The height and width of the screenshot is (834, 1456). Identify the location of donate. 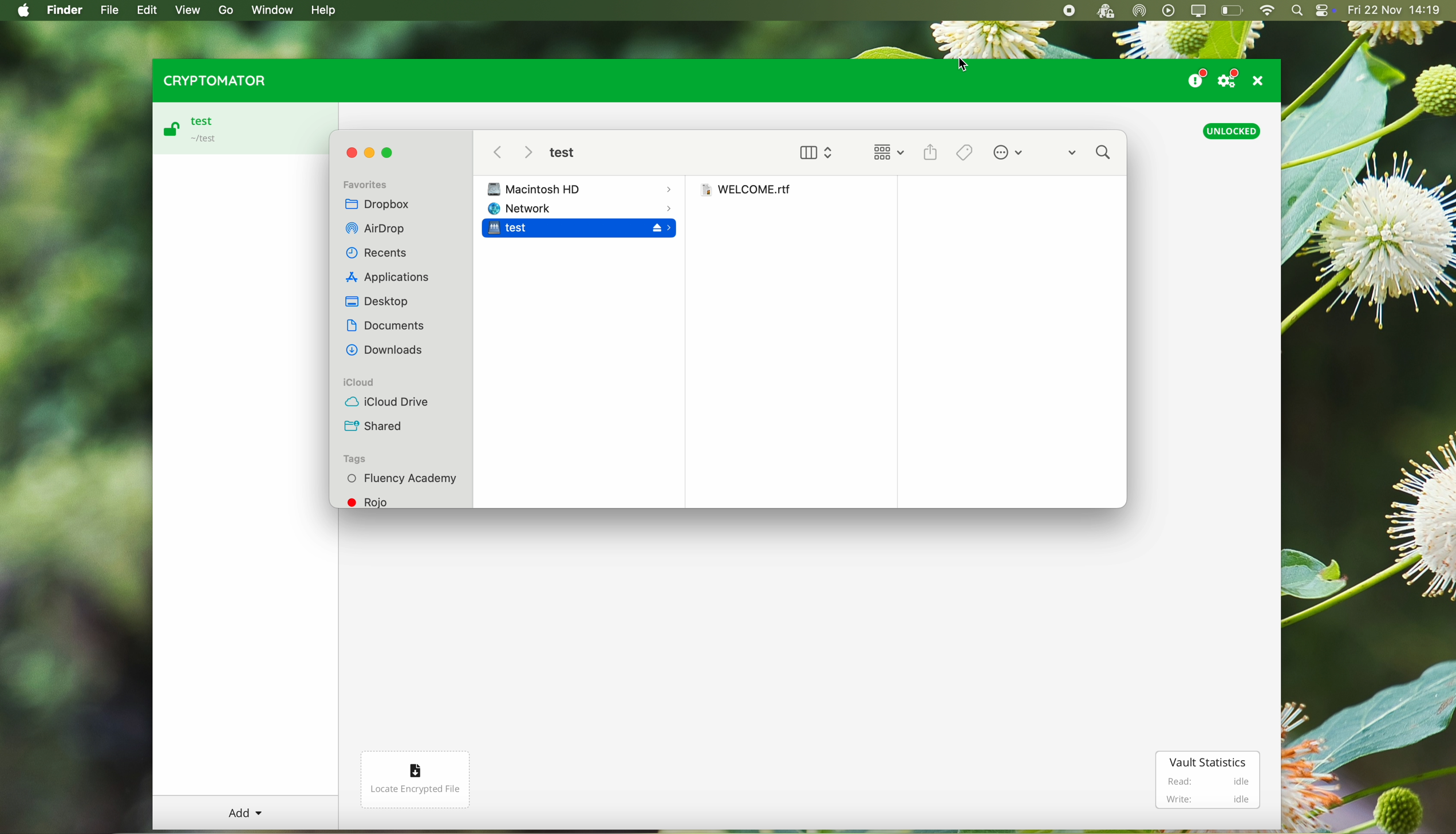
(1195, 76).